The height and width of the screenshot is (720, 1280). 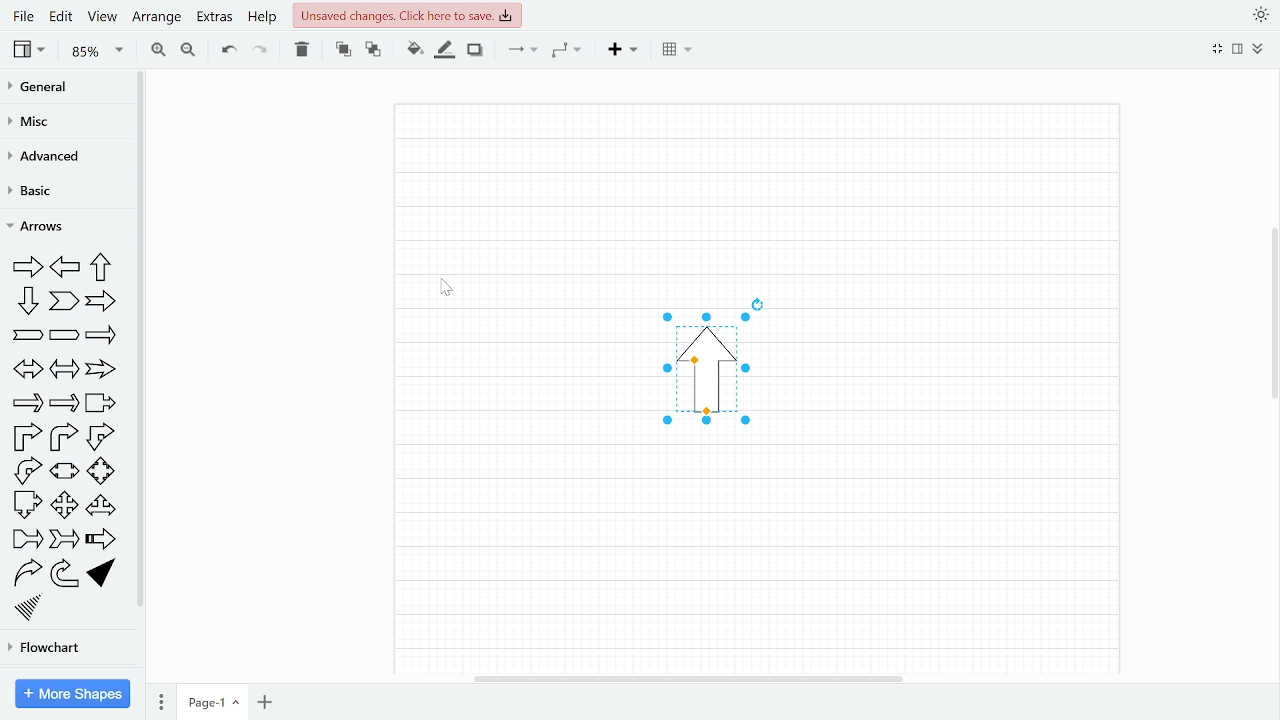 What do you see at coordinates (1258, 49) in the screenshot?
I see `Collapse` at bounding box center [1258, 49].